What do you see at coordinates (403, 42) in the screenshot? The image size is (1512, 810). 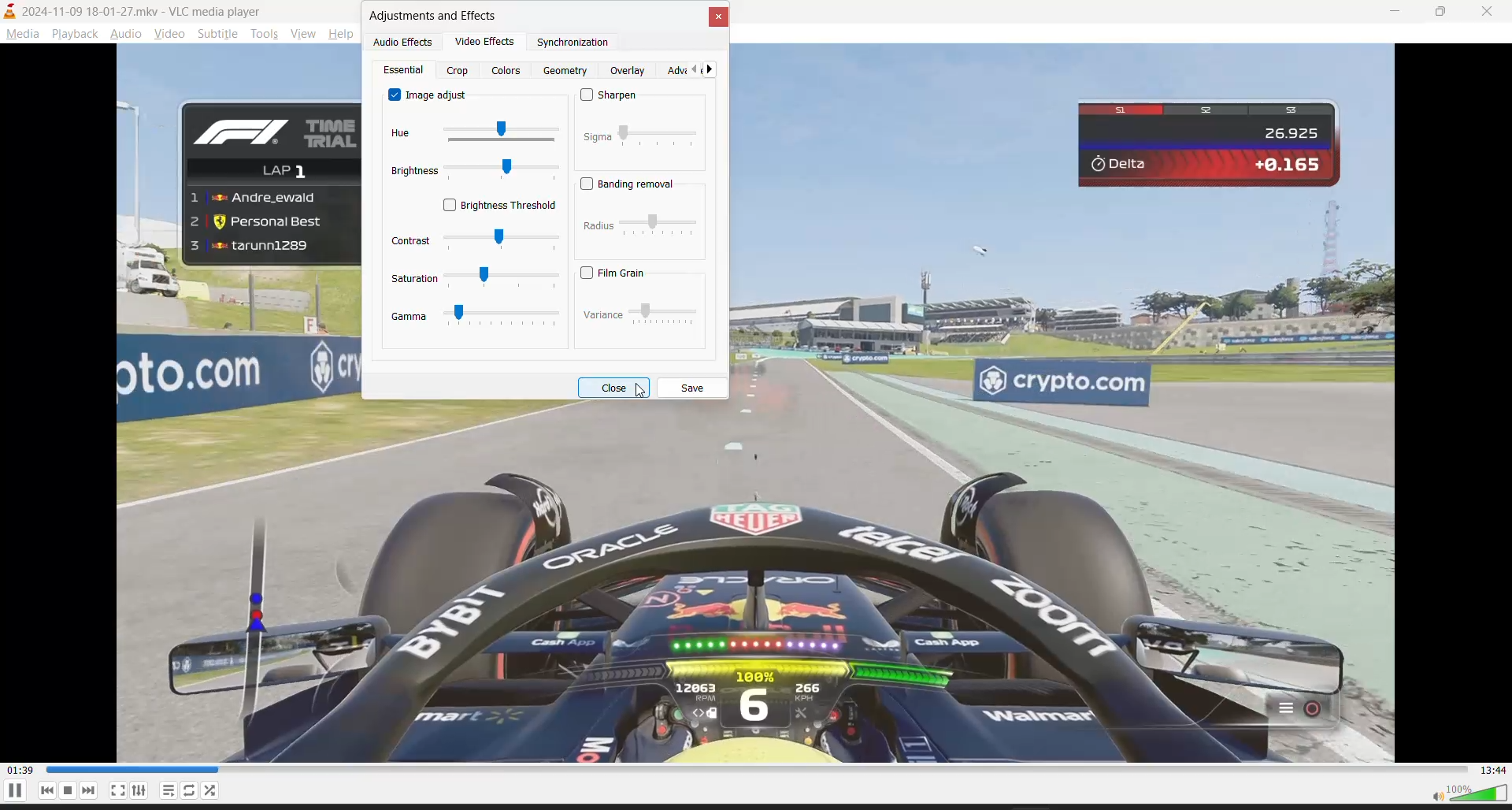 I see `audio effects` at bounding box center [403, 42].